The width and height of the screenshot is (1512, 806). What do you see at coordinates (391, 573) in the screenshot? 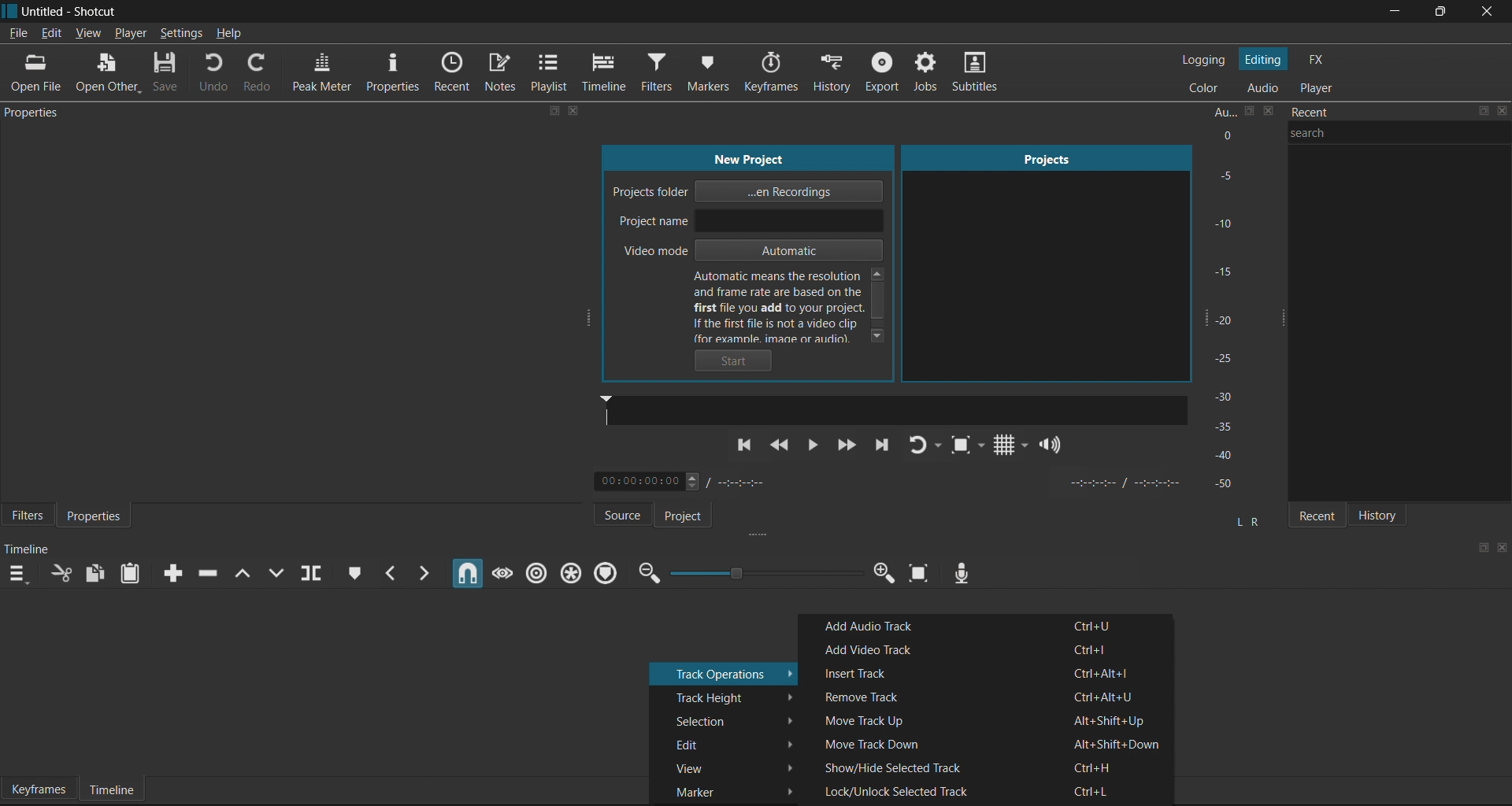
I see `Previous marker` at bounding box center [391, 573].